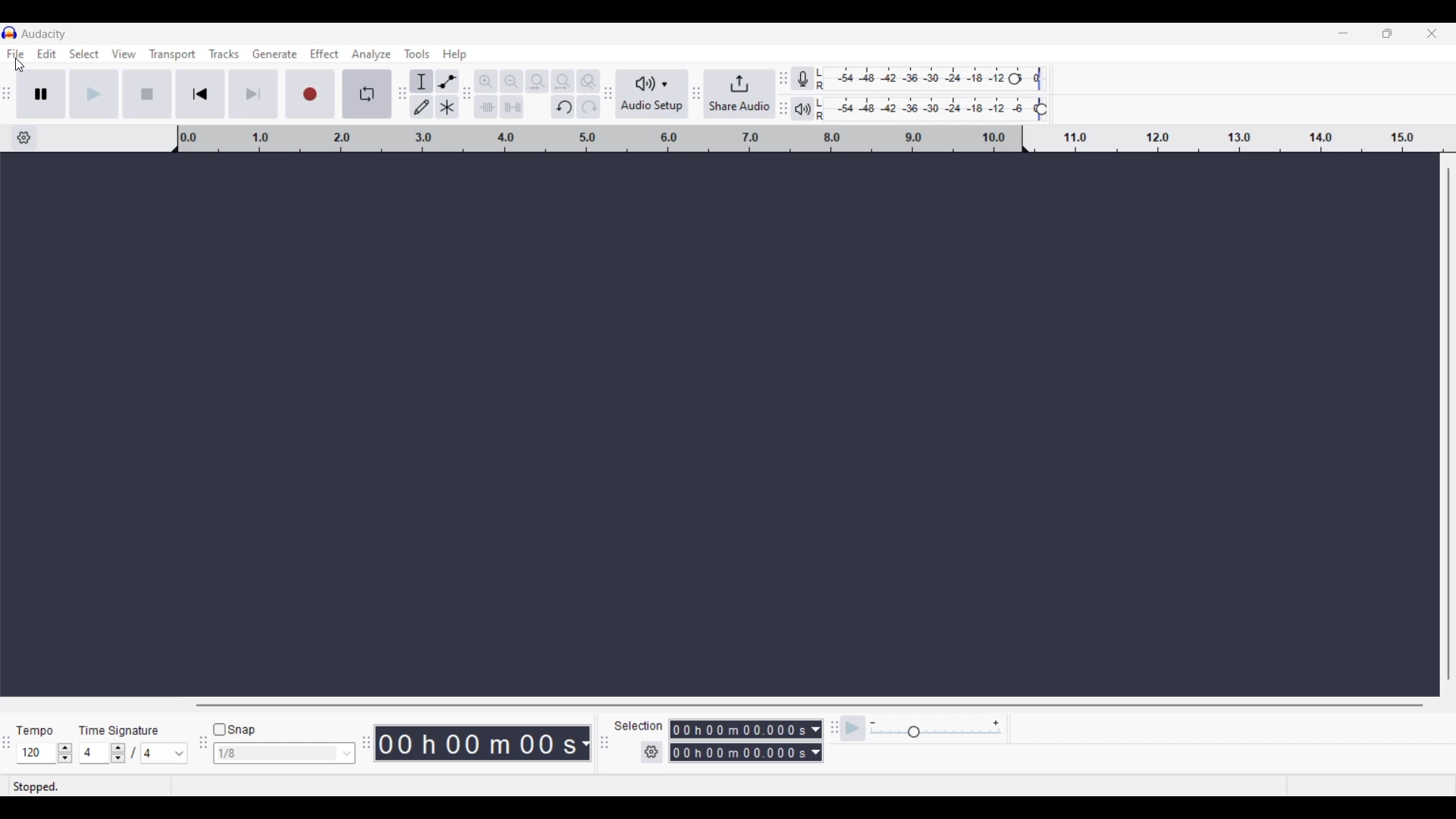  Describe the element at coordinates (873, 723) in the screenshot. I see `Min. playback speed` at that location.